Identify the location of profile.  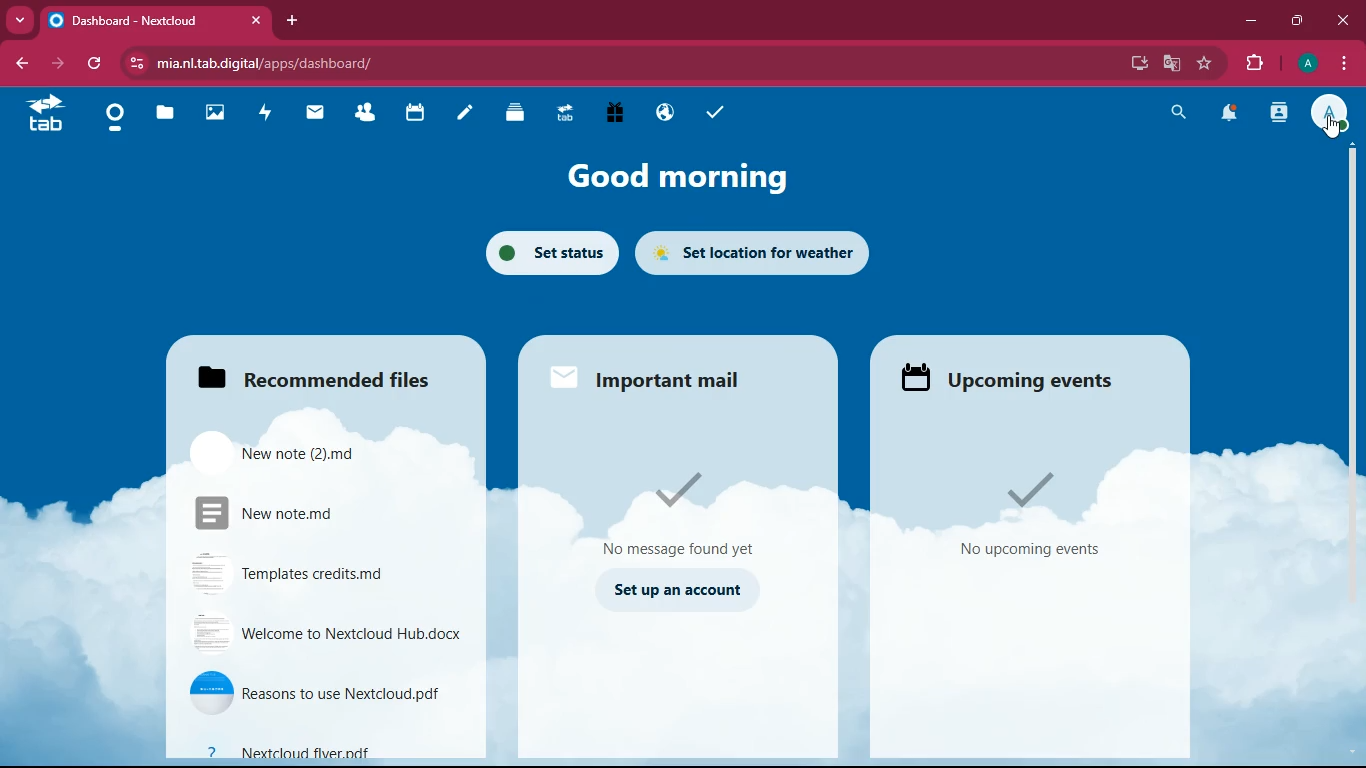
(1334, 114).